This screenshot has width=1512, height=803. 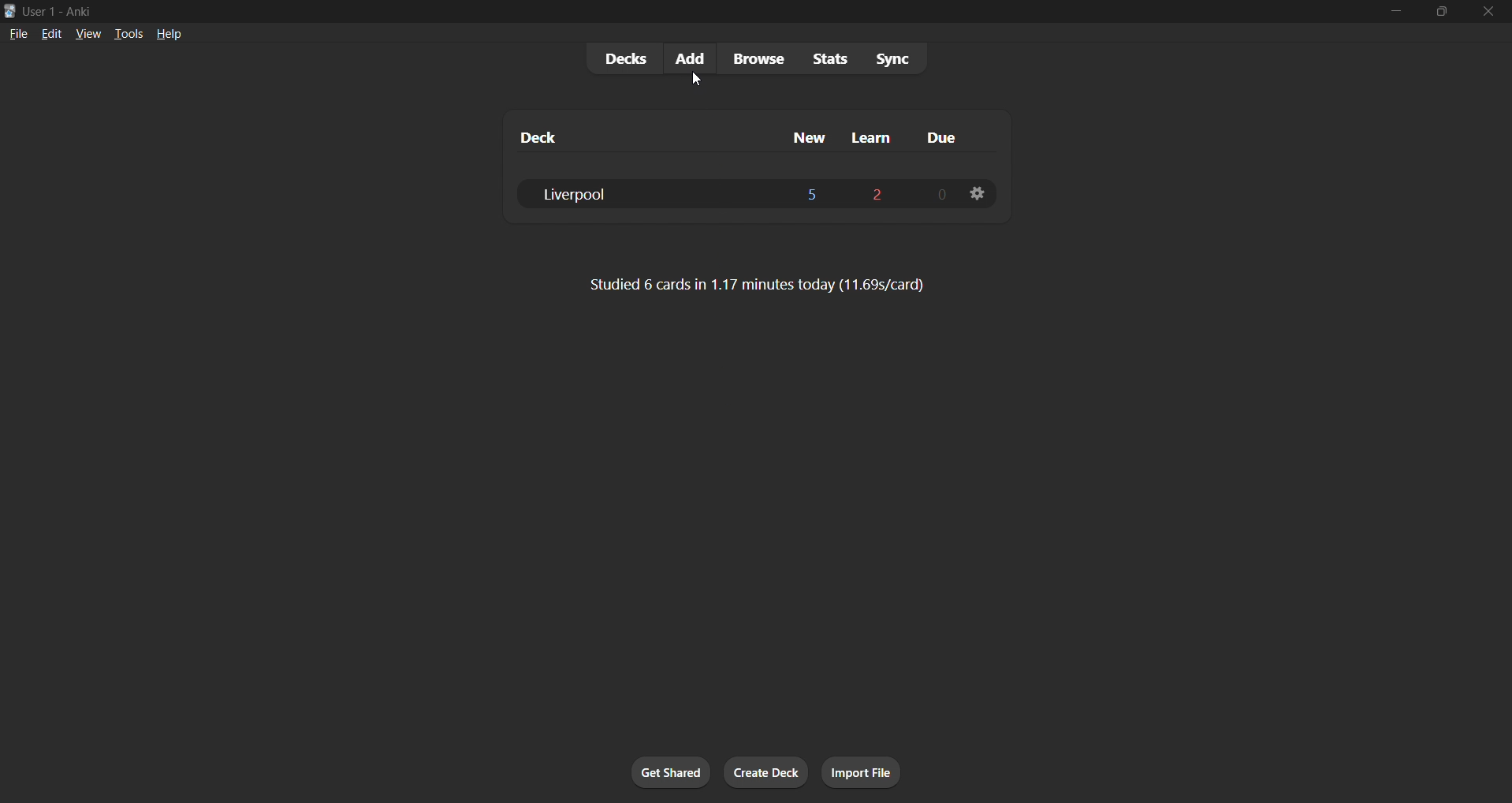 I want to click on deck settings, so click(x=985, y=196).